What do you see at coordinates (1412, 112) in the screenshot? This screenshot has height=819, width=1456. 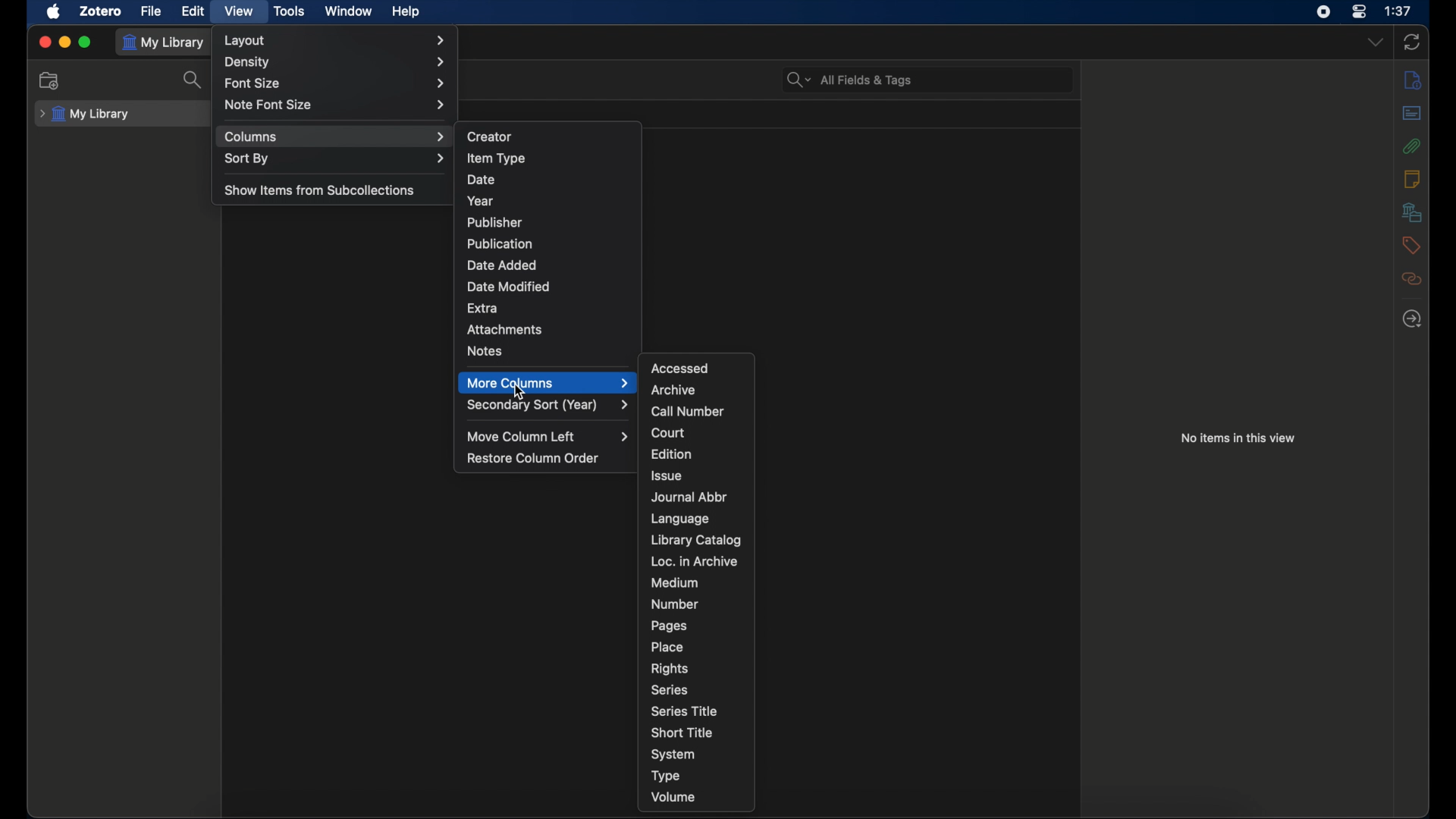 I see `abstract` at bounding box center [1412, 112].